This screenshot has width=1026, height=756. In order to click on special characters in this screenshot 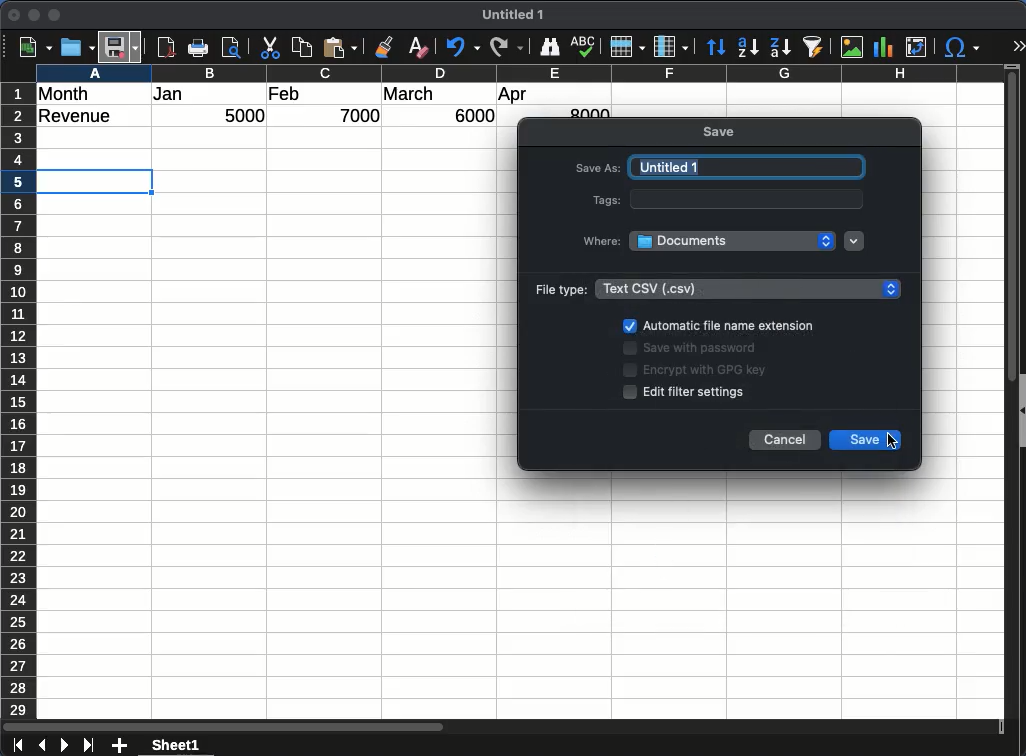, I will do `click(962, 48)`.